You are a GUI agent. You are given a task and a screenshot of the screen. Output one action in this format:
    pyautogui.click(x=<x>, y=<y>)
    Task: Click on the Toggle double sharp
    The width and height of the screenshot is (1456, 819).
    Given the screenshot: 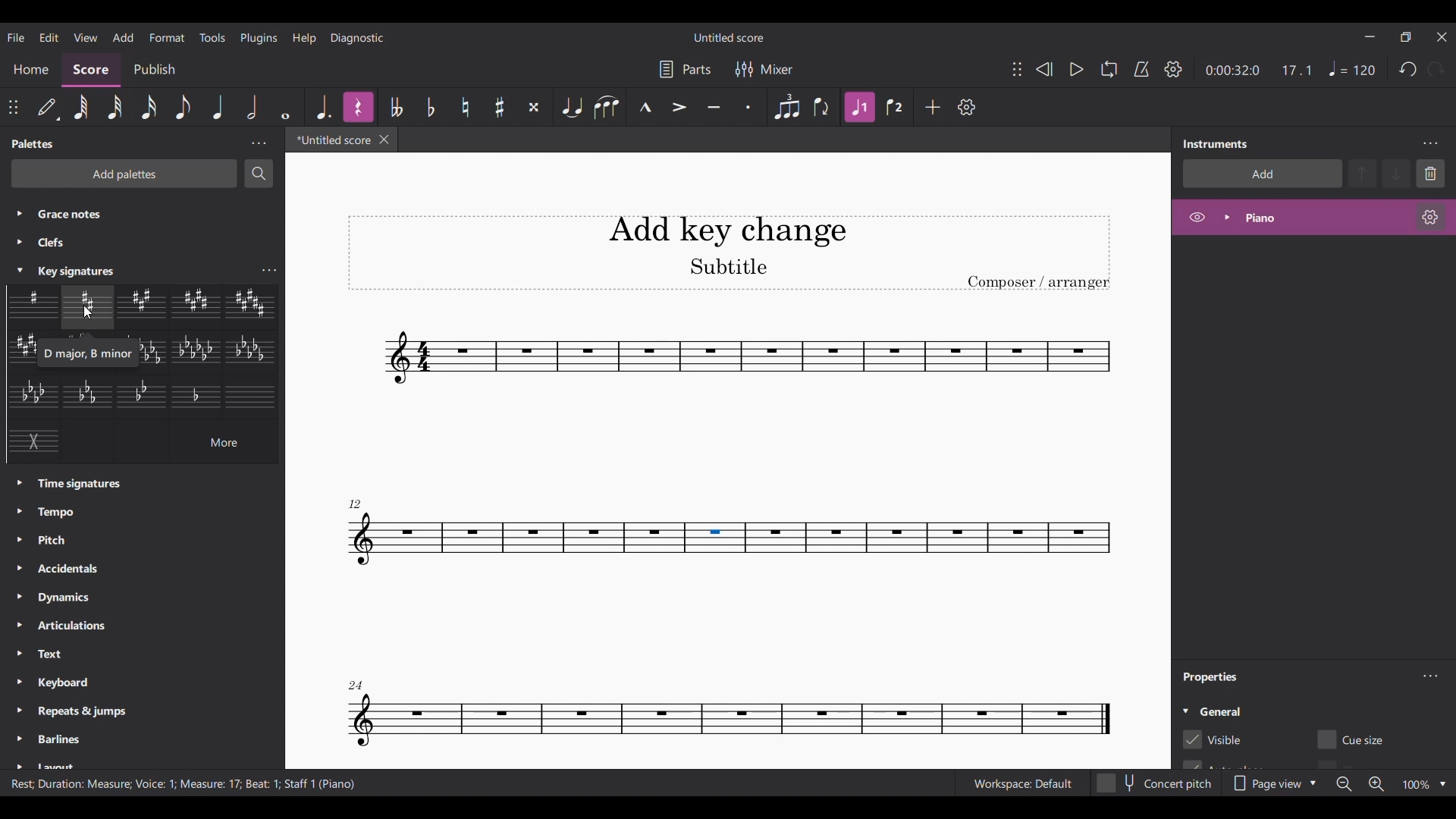 What is the action you would take?
    pyautogui.click(x=534, y=106)
    